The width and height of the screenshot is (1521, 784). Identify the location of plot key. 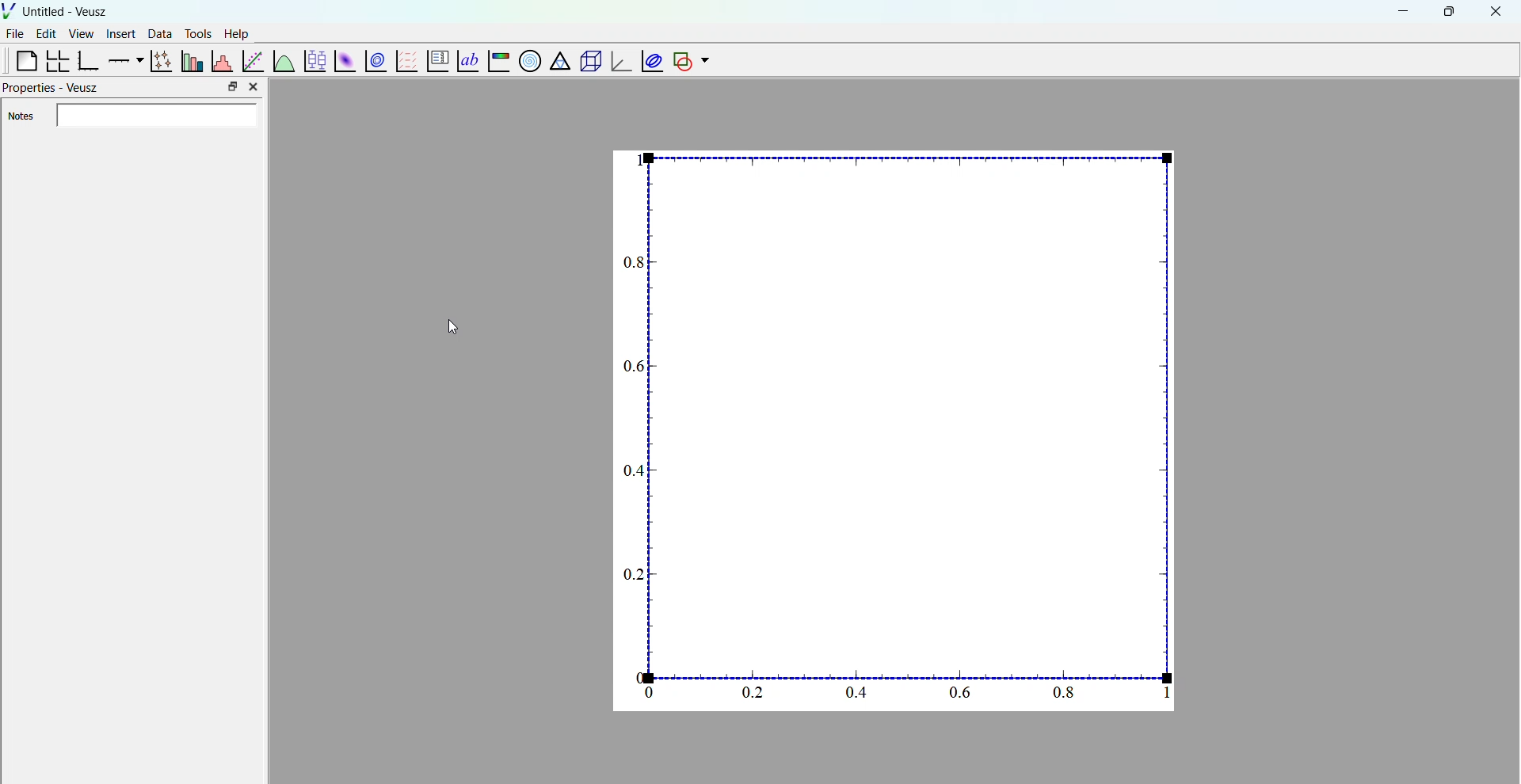
(435, 62).